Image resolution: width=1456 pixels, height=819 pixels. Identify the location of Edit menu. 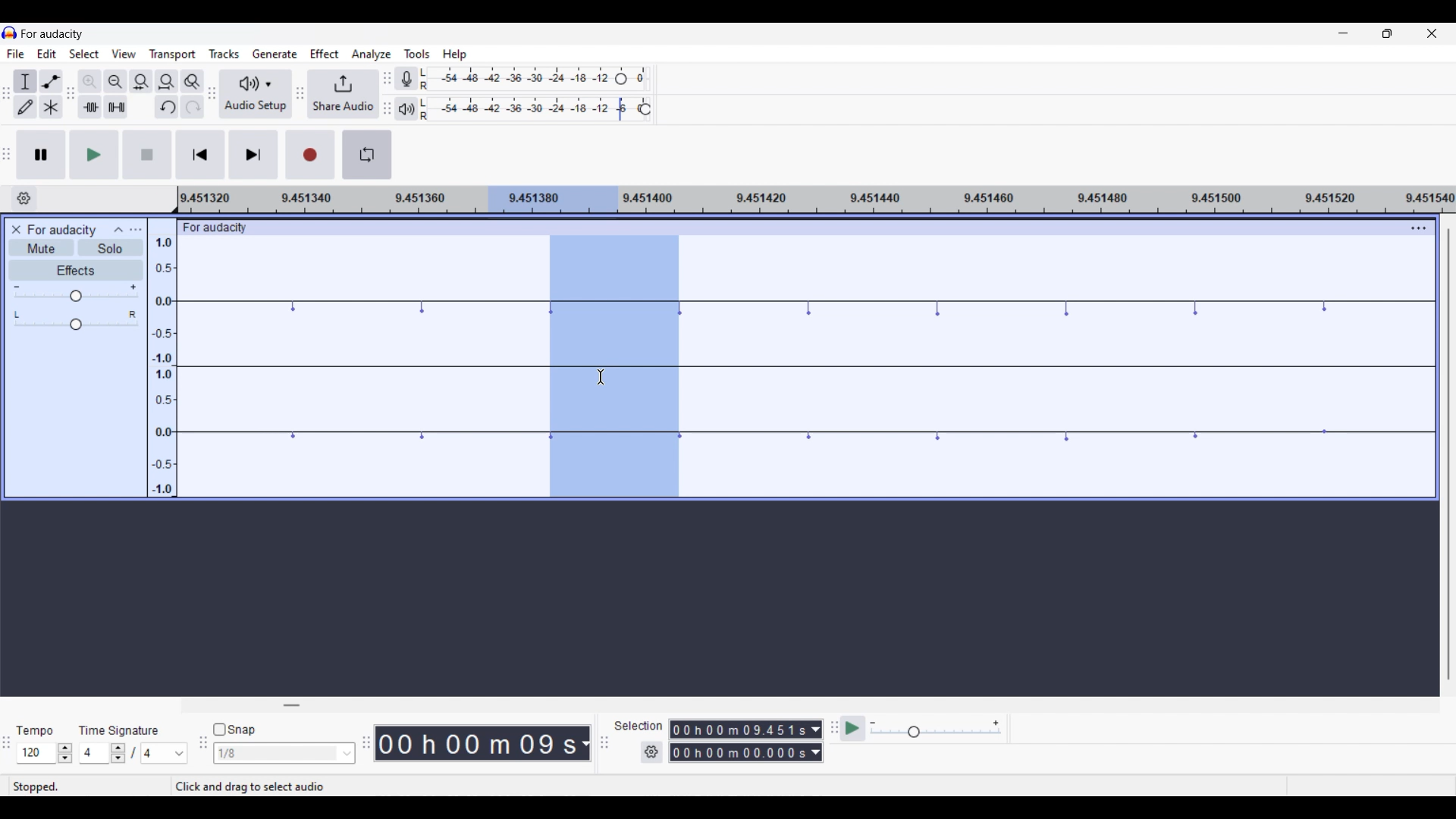
(46, 53).